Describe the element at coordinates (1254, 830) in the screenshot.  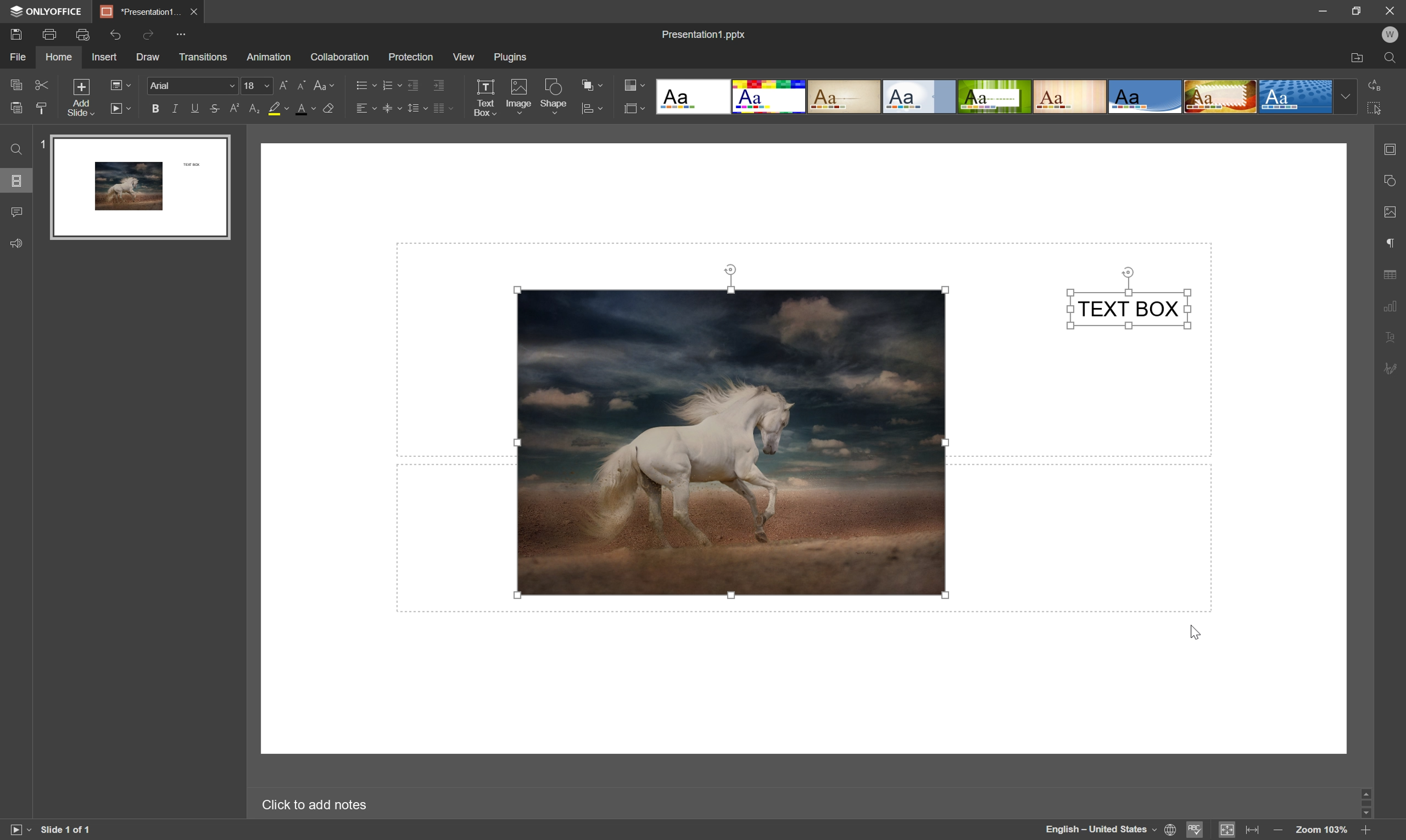
I see `fit to width` at that location.